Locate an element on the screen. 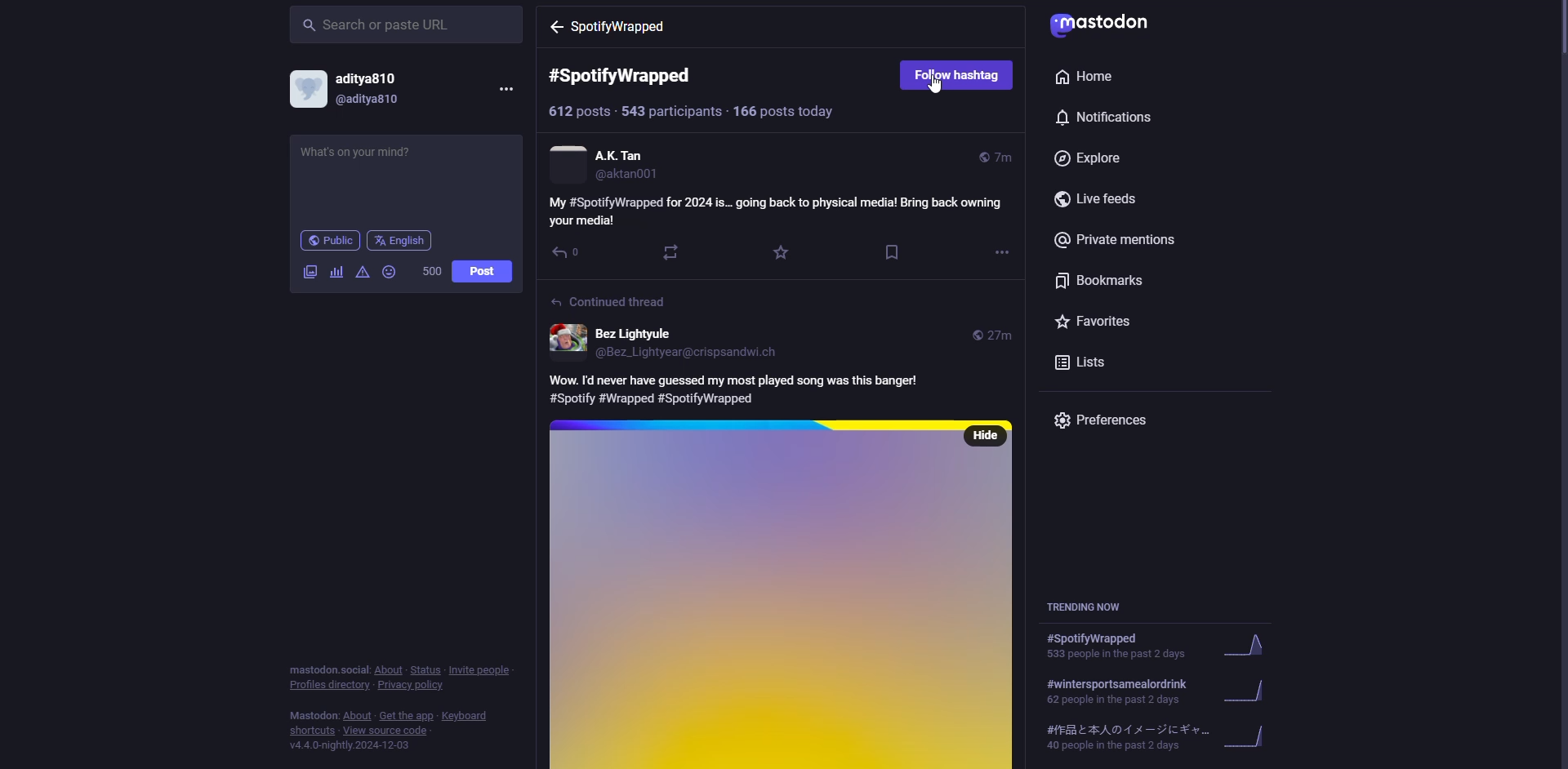 This screenshot has height=769, width=1568. post is located at coordinates (481, 270).